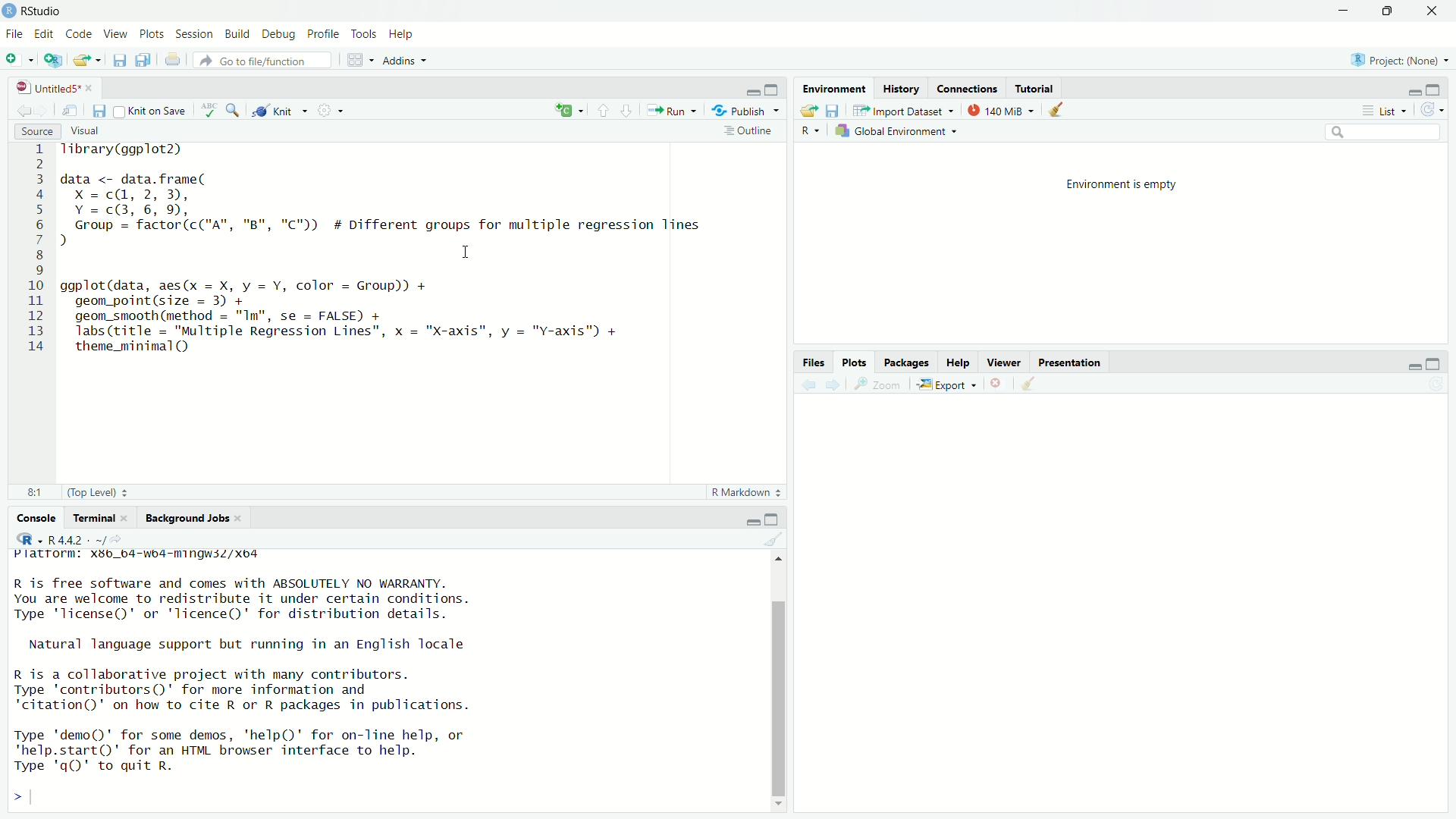 The width and height of the screenshot is (1456, 819). I want to click on Knit, so click(281, 111).